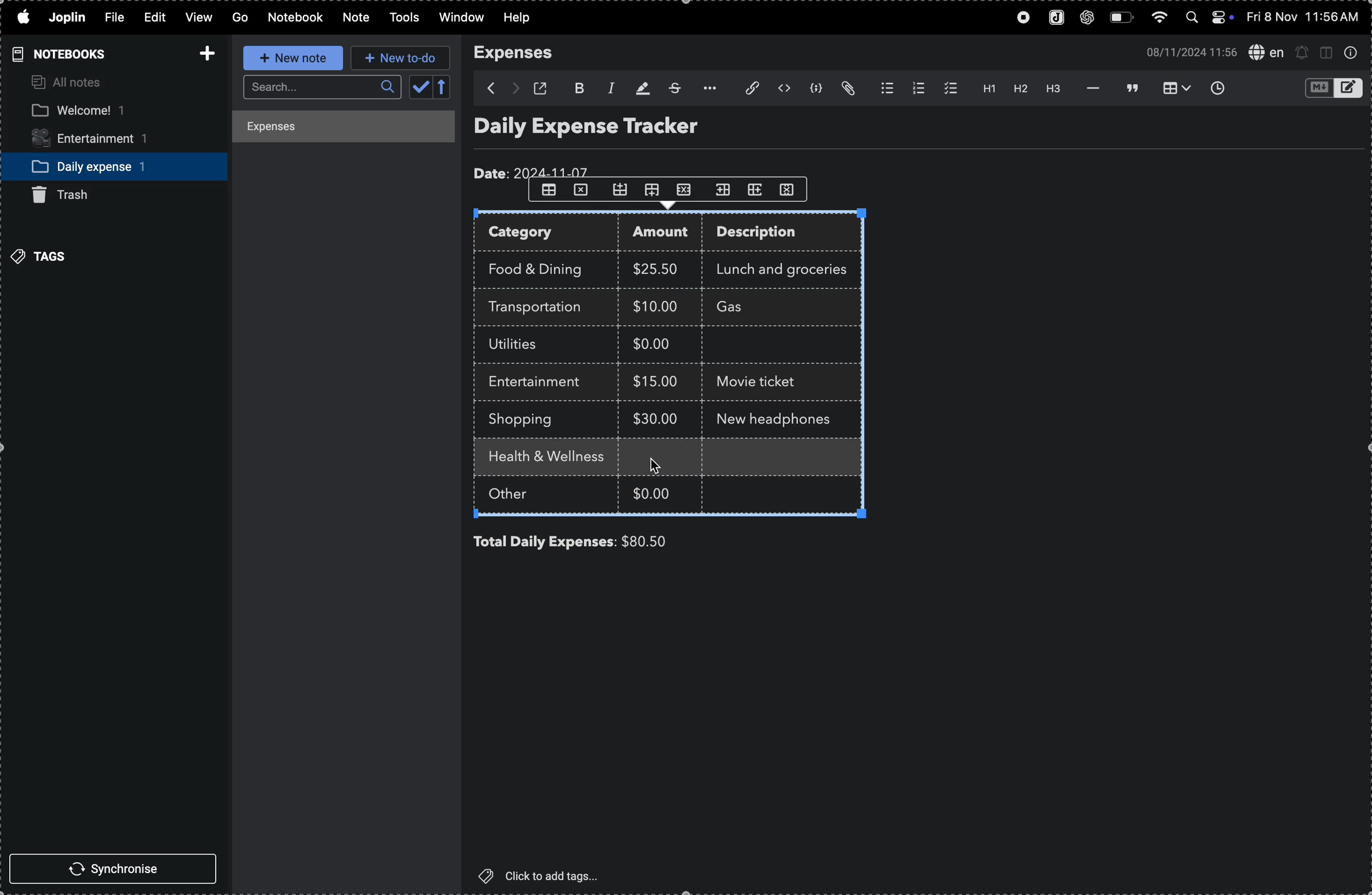  What do you see at coordinates (1171, 88) in the screenshot?
I see `table view` at bounding box center [1171, 88].